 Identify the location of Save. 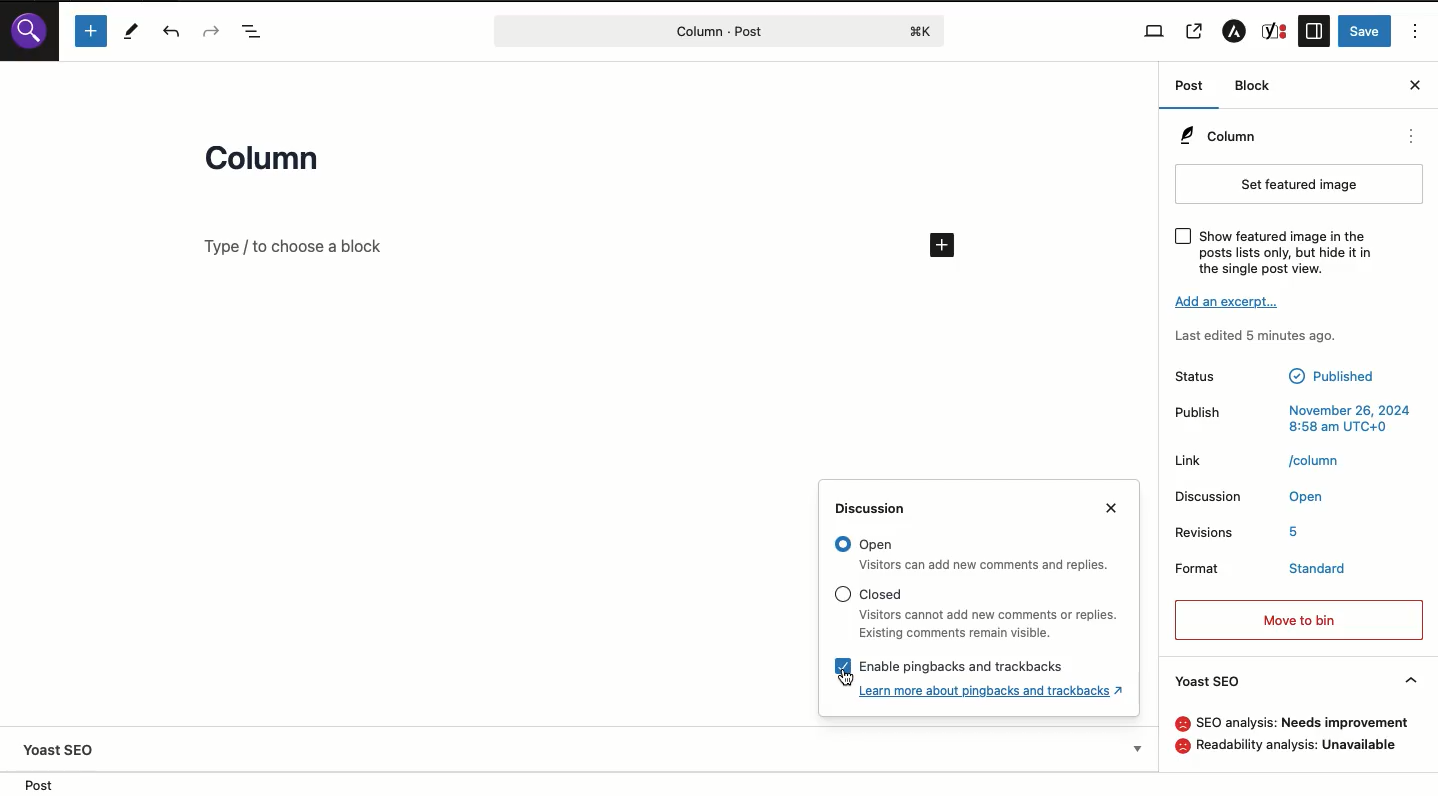
(1365, 31).